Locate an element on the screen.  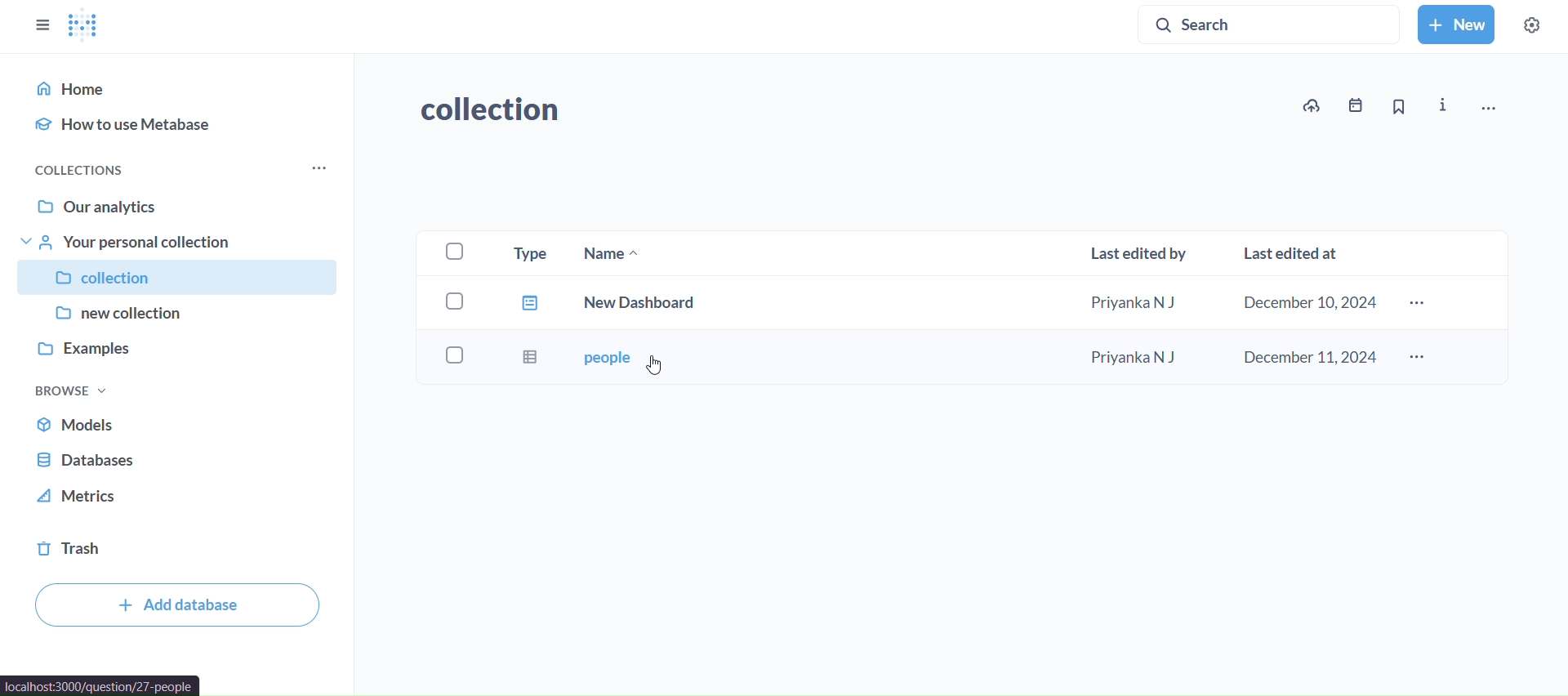
type is located at coordinates (527, 308).